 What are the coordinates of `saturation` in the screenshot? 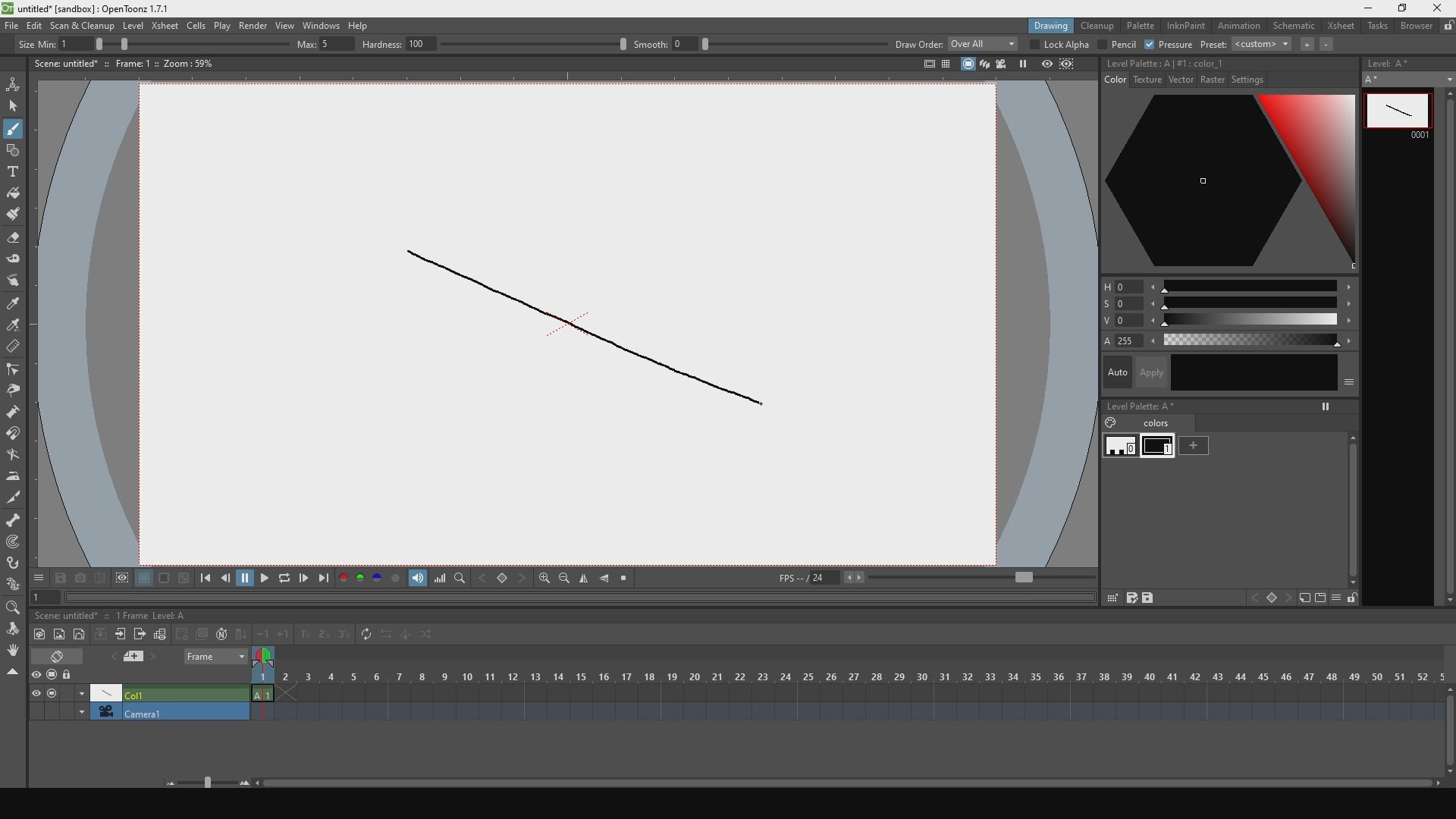 It's located at (1225, 304).